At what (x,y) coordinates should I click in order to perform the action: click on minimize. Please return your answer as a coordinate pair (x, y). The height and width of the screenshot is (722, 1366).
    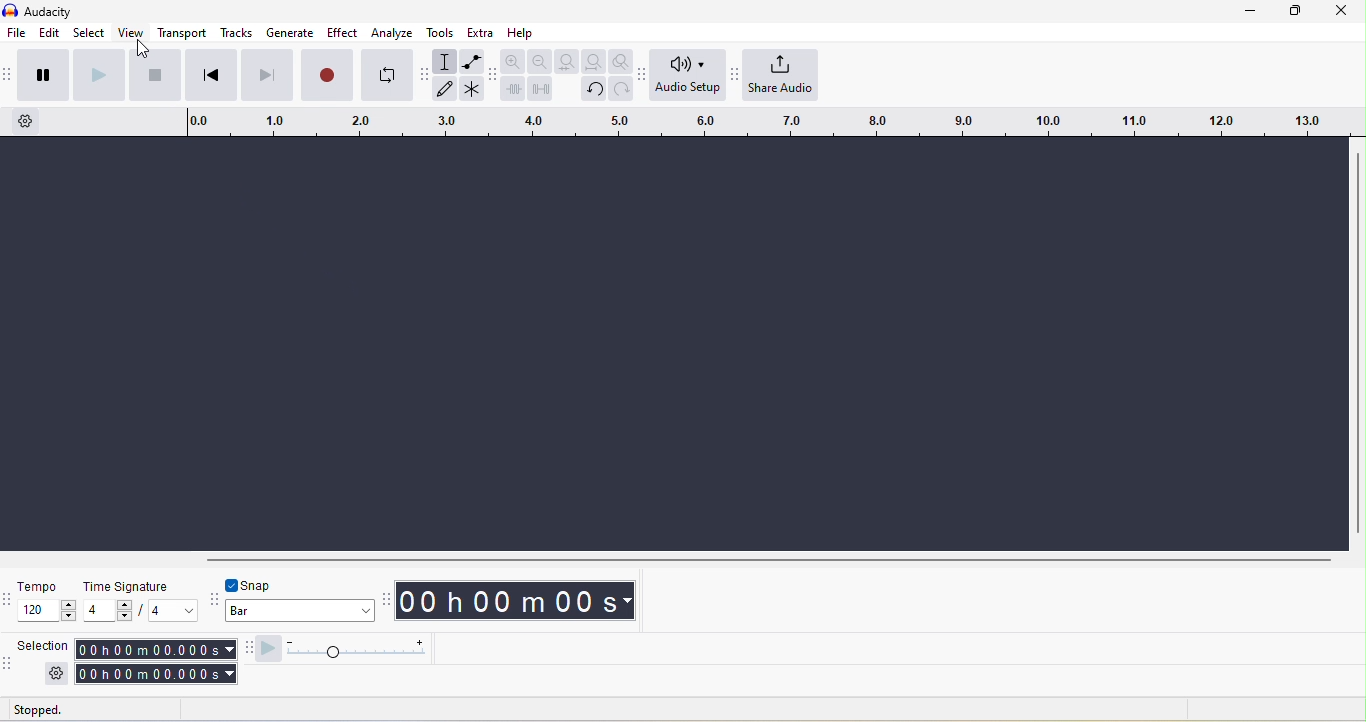
    Looking at the image, I should click on (1250, 11).